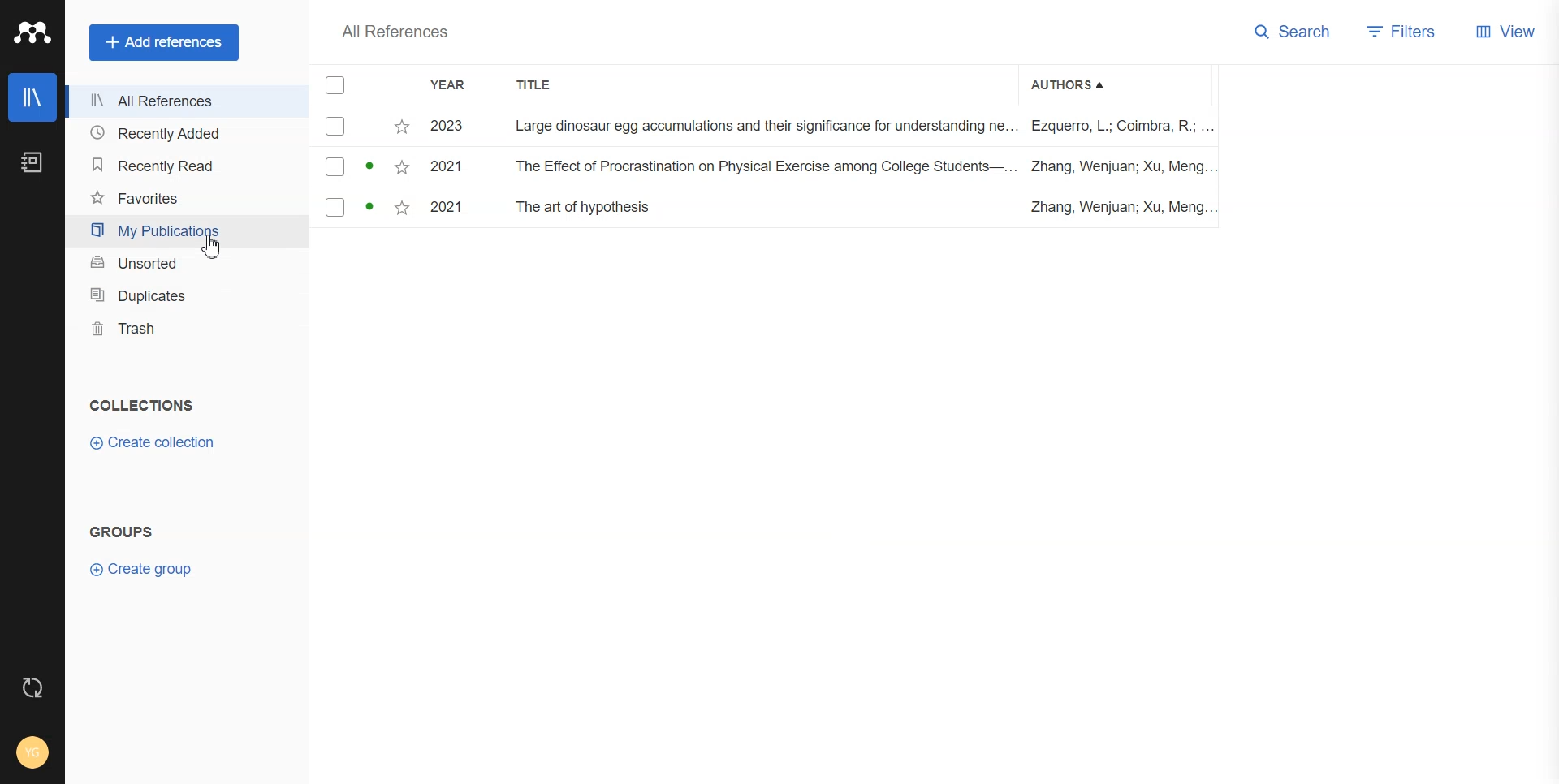 The width and height of the screenshot is (1559, 784). Describe the element at coordinates (179, 166) in the screenshot. I see `Recently Read` at that location.